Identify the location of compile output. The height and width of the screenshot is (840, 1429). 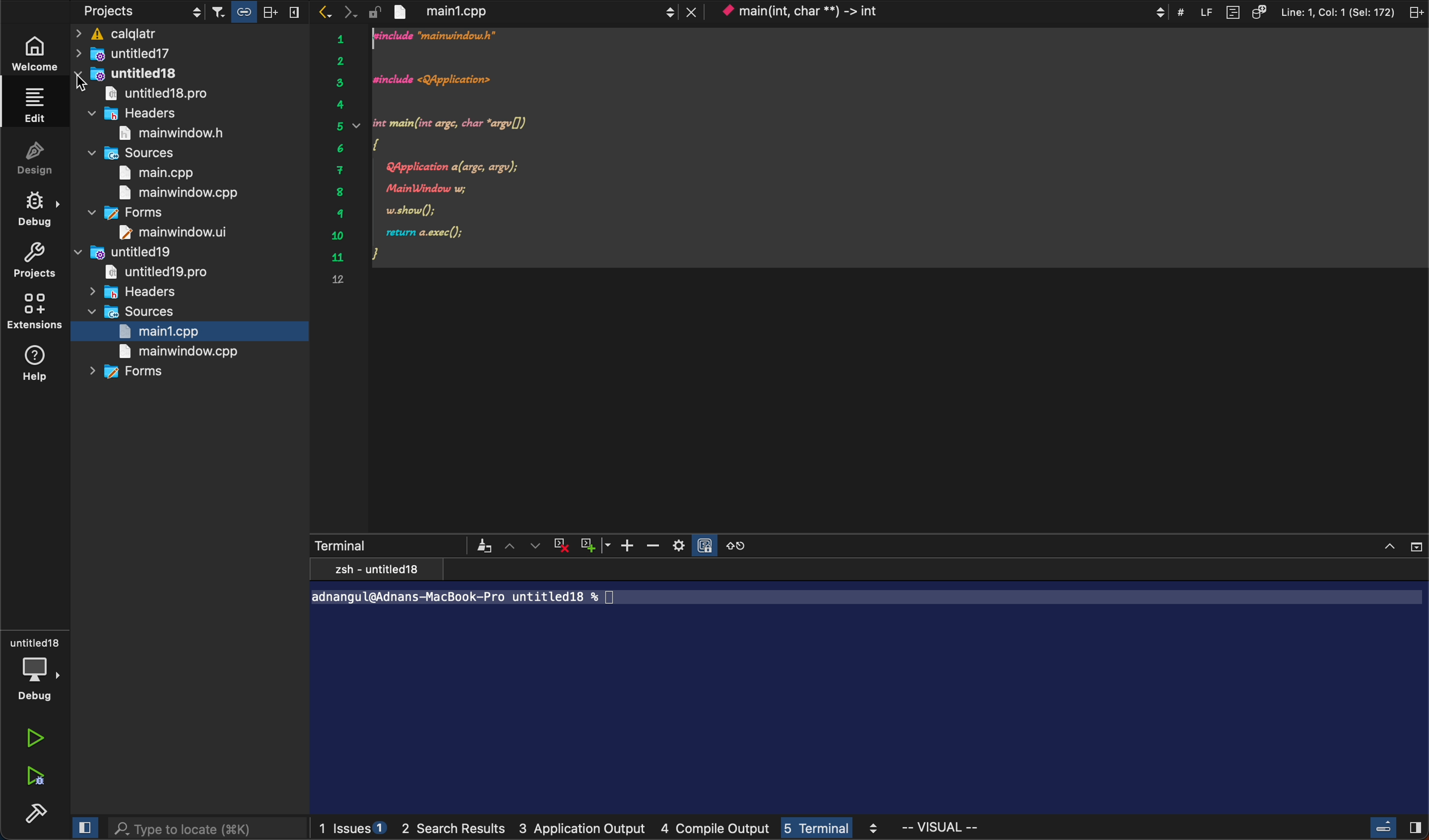
(716, 829).